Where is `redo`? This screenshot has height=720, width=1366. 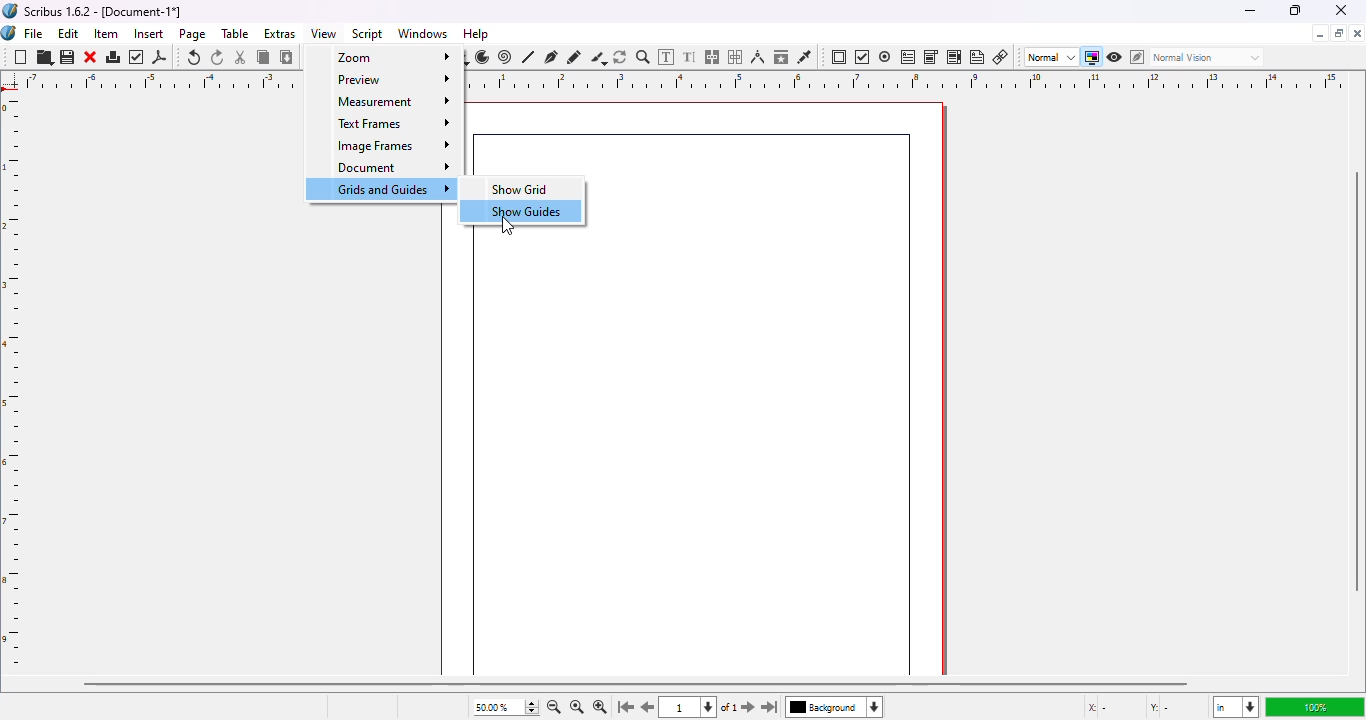 redo is located at coordinates (218, 58).